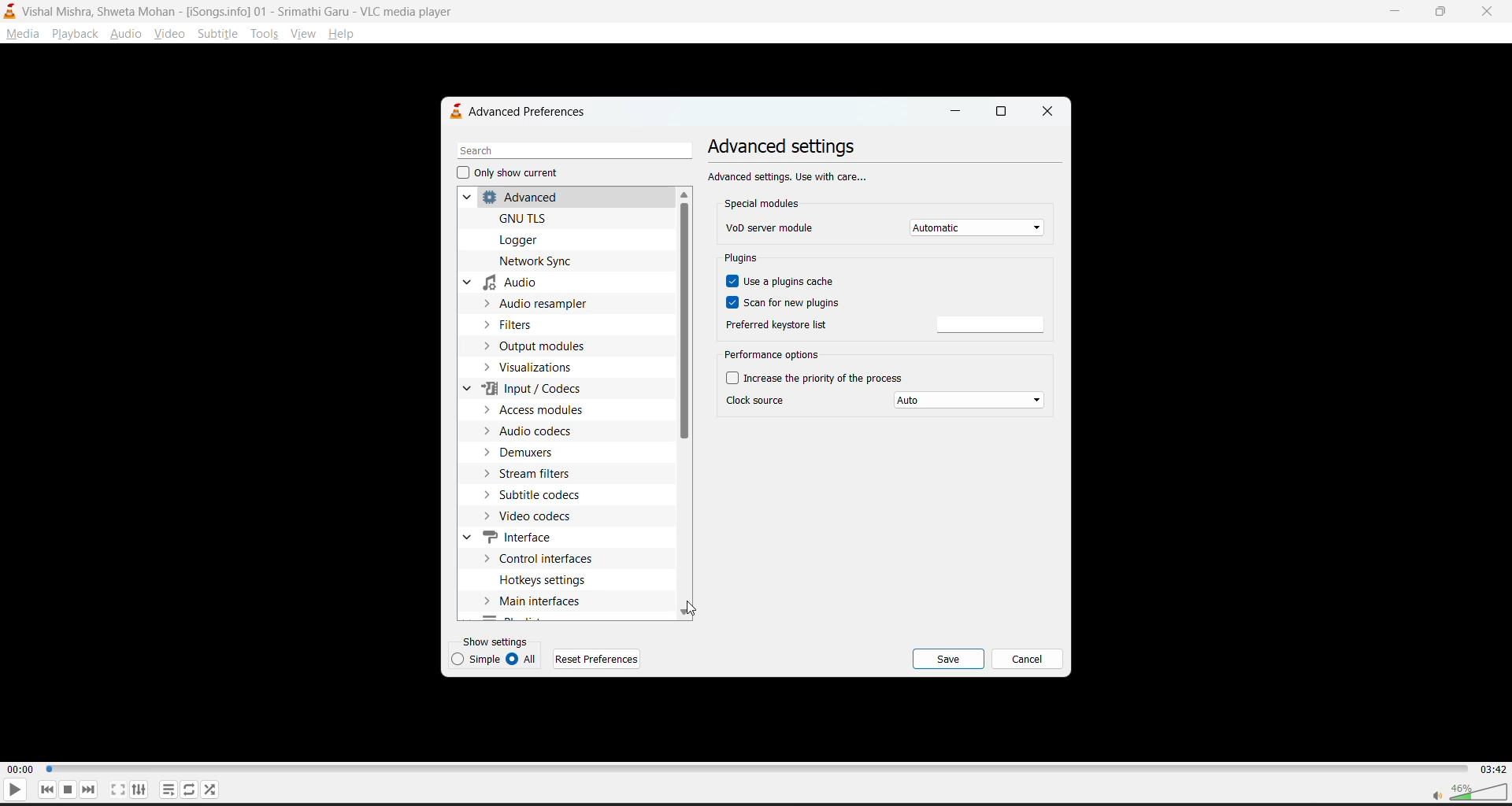 This screenshot has height=806, width=1512. What do you see at coordinates (573, 151) in the screenshot?
I see `search` at bounding box center [573, 151].